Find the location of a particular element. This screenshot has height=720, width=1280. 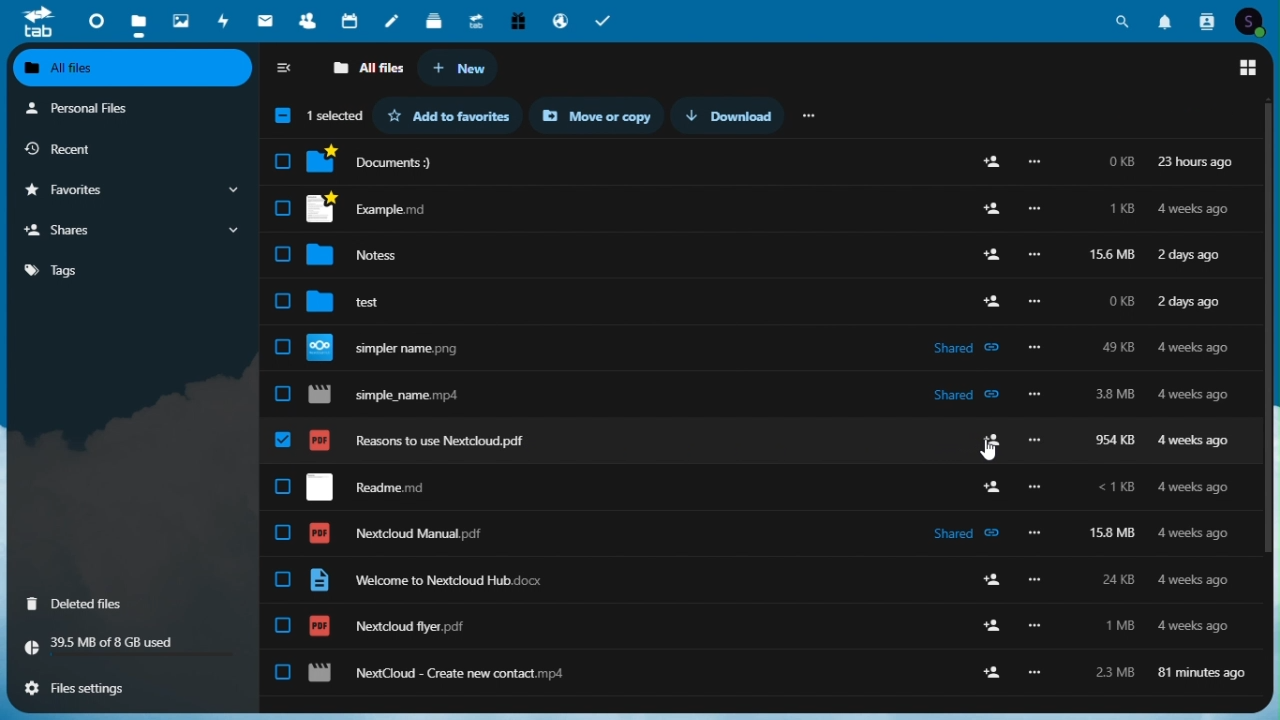

checkbox is located at coordinates (284, 579).